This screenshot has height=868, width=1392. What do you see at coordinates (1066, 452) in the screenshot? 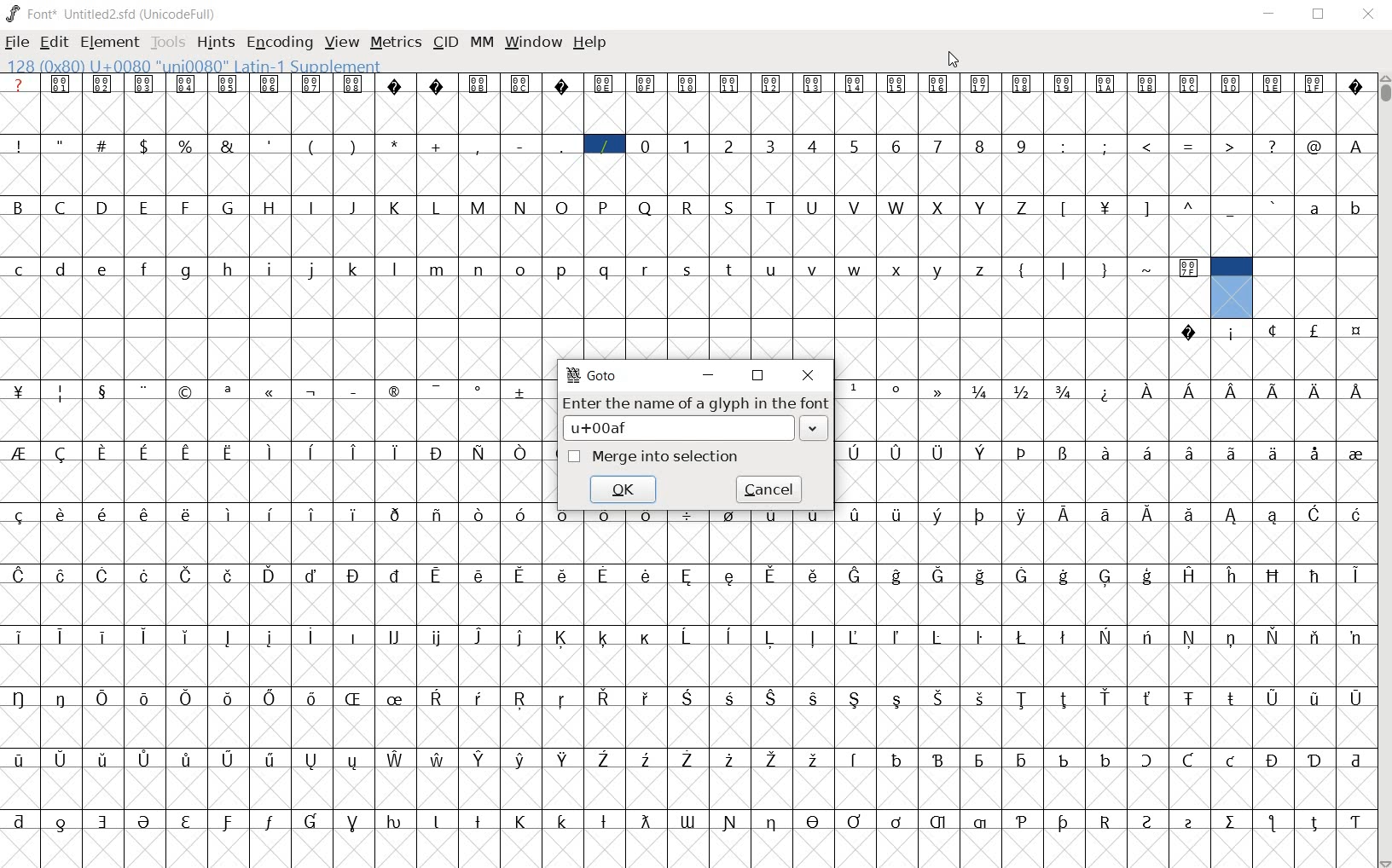
I see `Symbol` at bounding box center [1066, 452].